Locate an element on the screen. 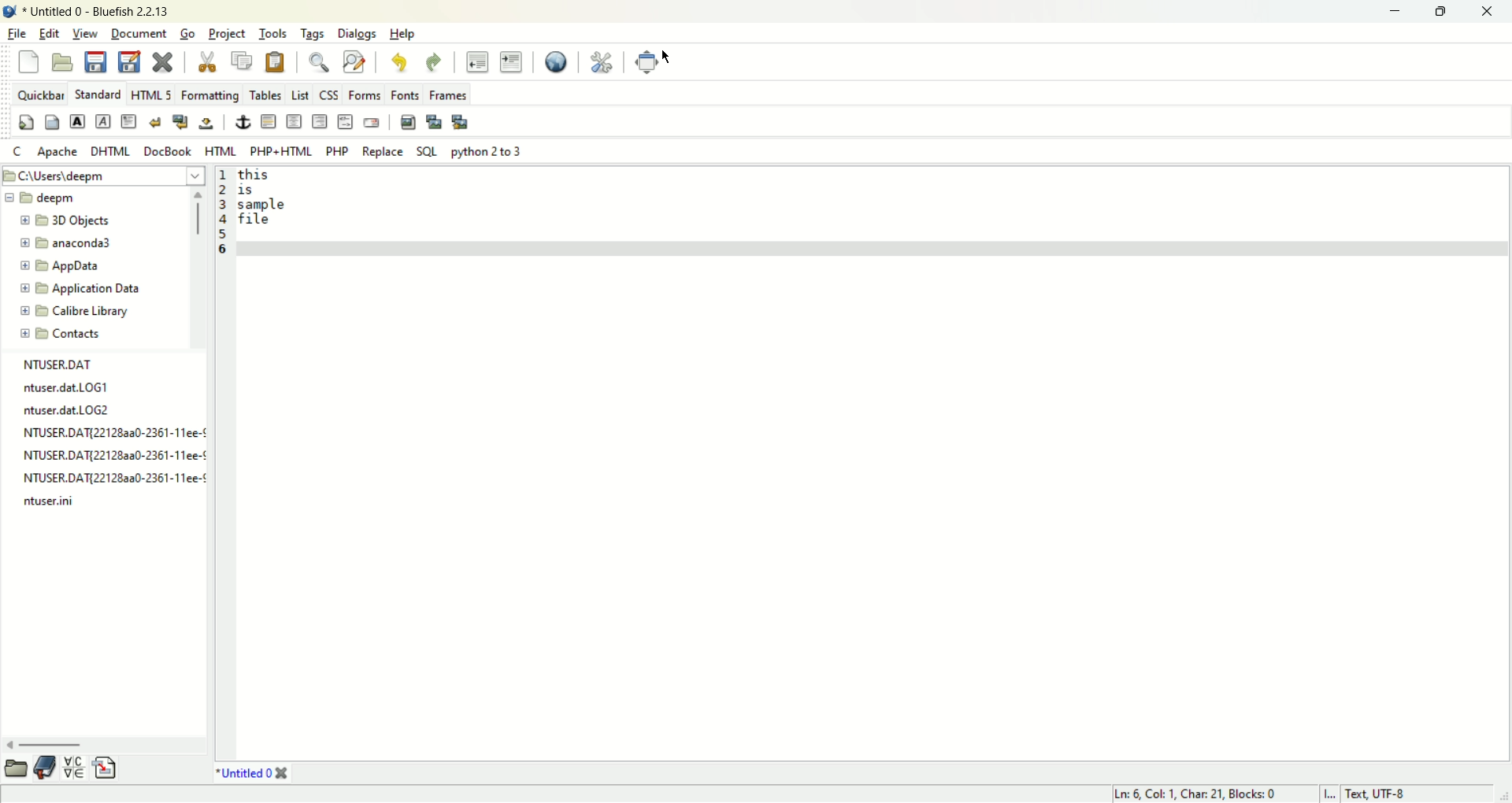 This screenshot has height=803, width=1512. paragraph is located at coordinates (129, 120).